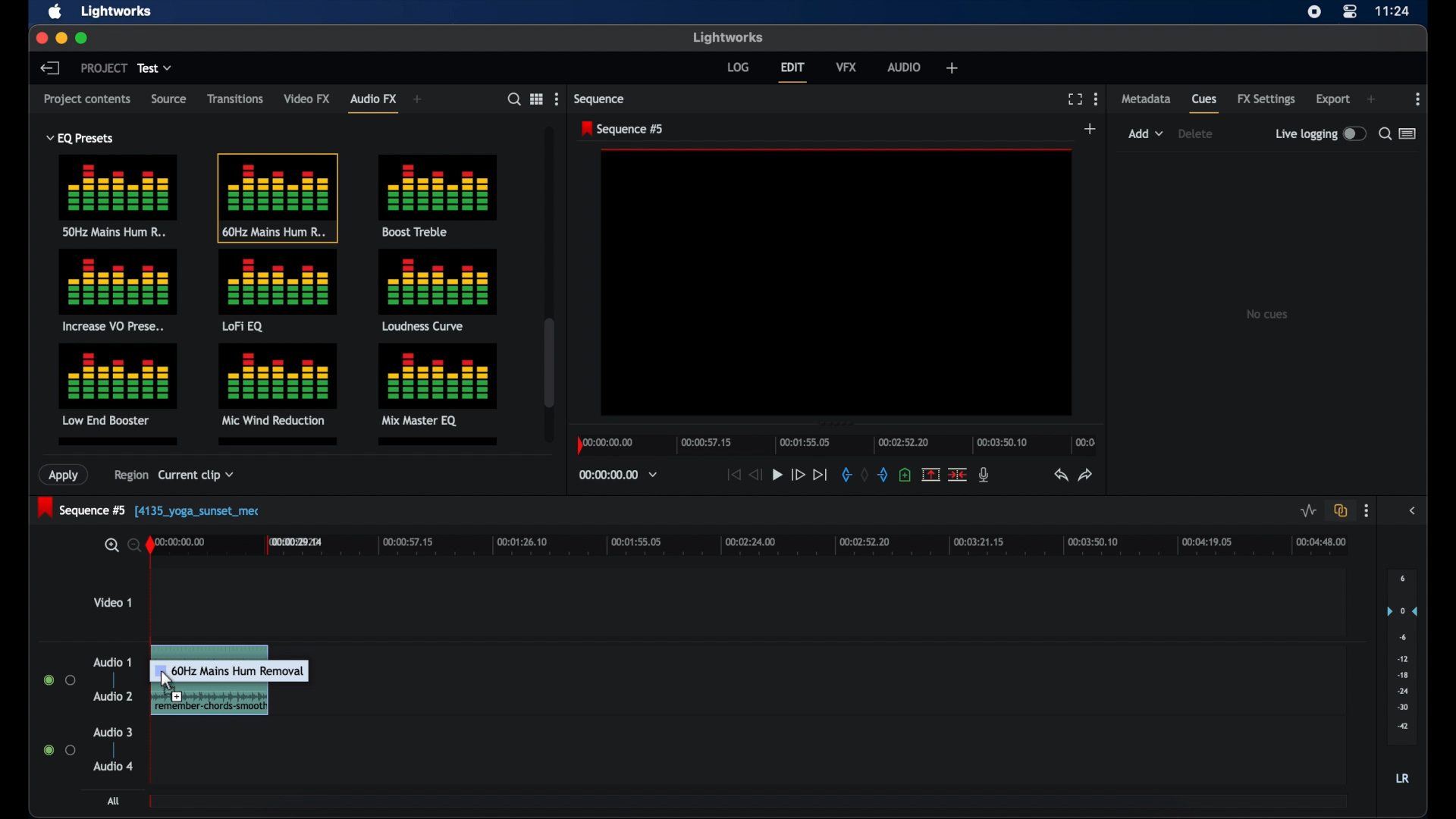 This screenshot has height=819, width=1456. What do you see at coordinates (1332, 99) in the screenshot?
I see `export` at bounding box center [1332, 99].